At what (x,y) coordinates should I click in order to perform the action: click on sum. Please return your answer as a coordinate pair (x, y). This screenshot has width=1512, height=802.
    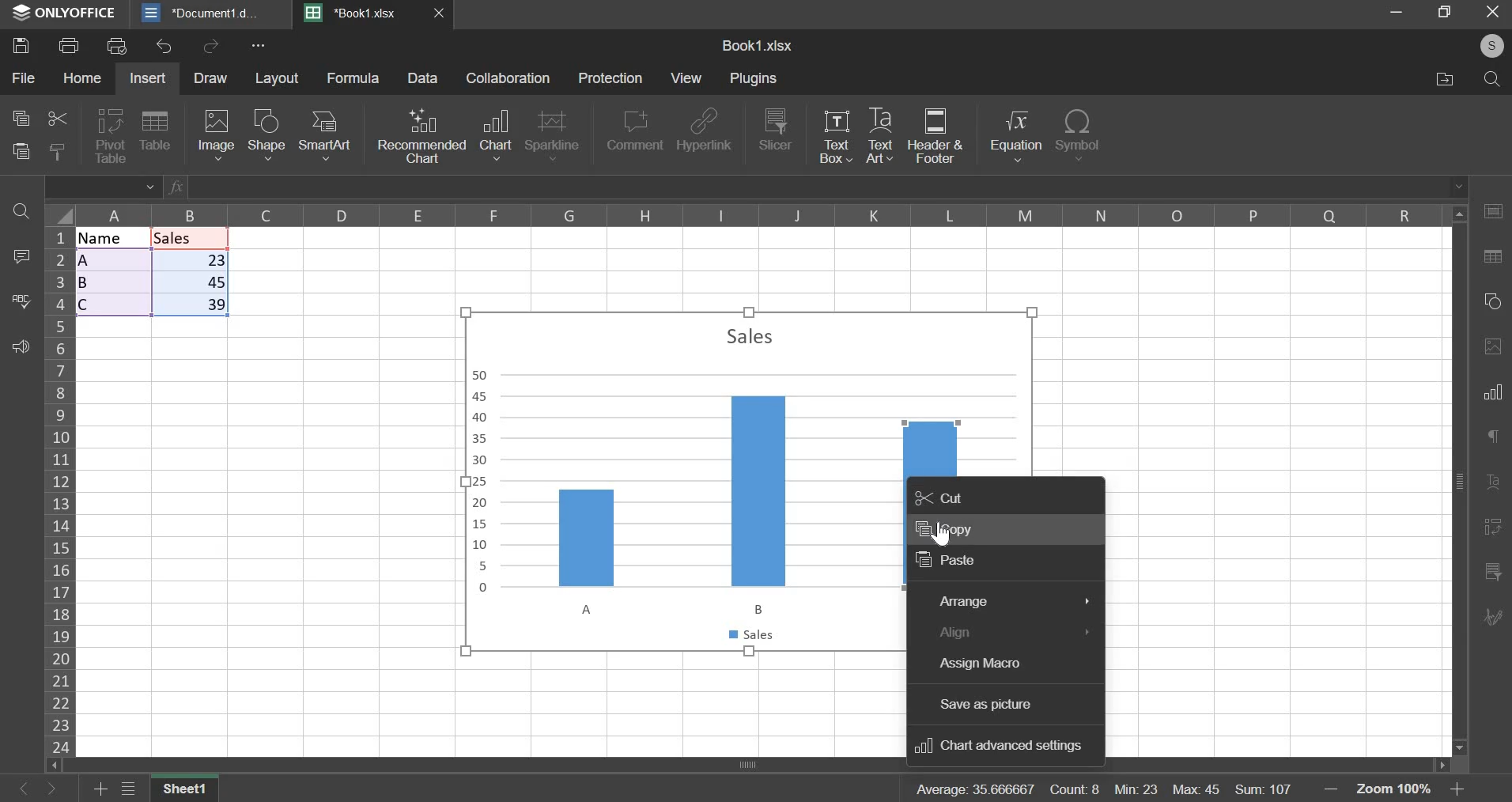
    Looking at the image, I should click on (1263, 789).